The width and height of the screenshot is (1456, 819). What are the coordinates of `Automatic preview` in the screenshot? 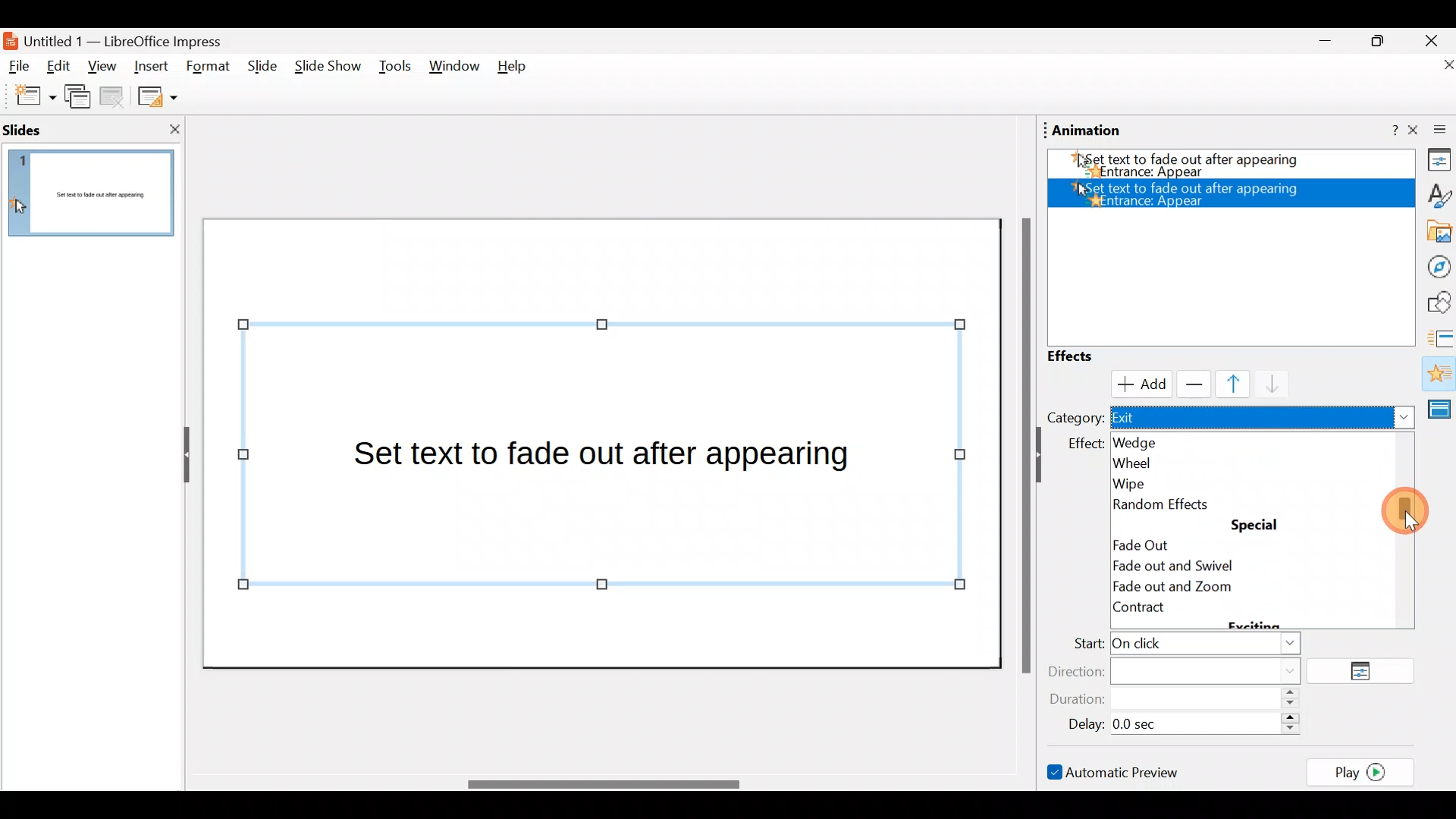 It's located at (1116, 771).